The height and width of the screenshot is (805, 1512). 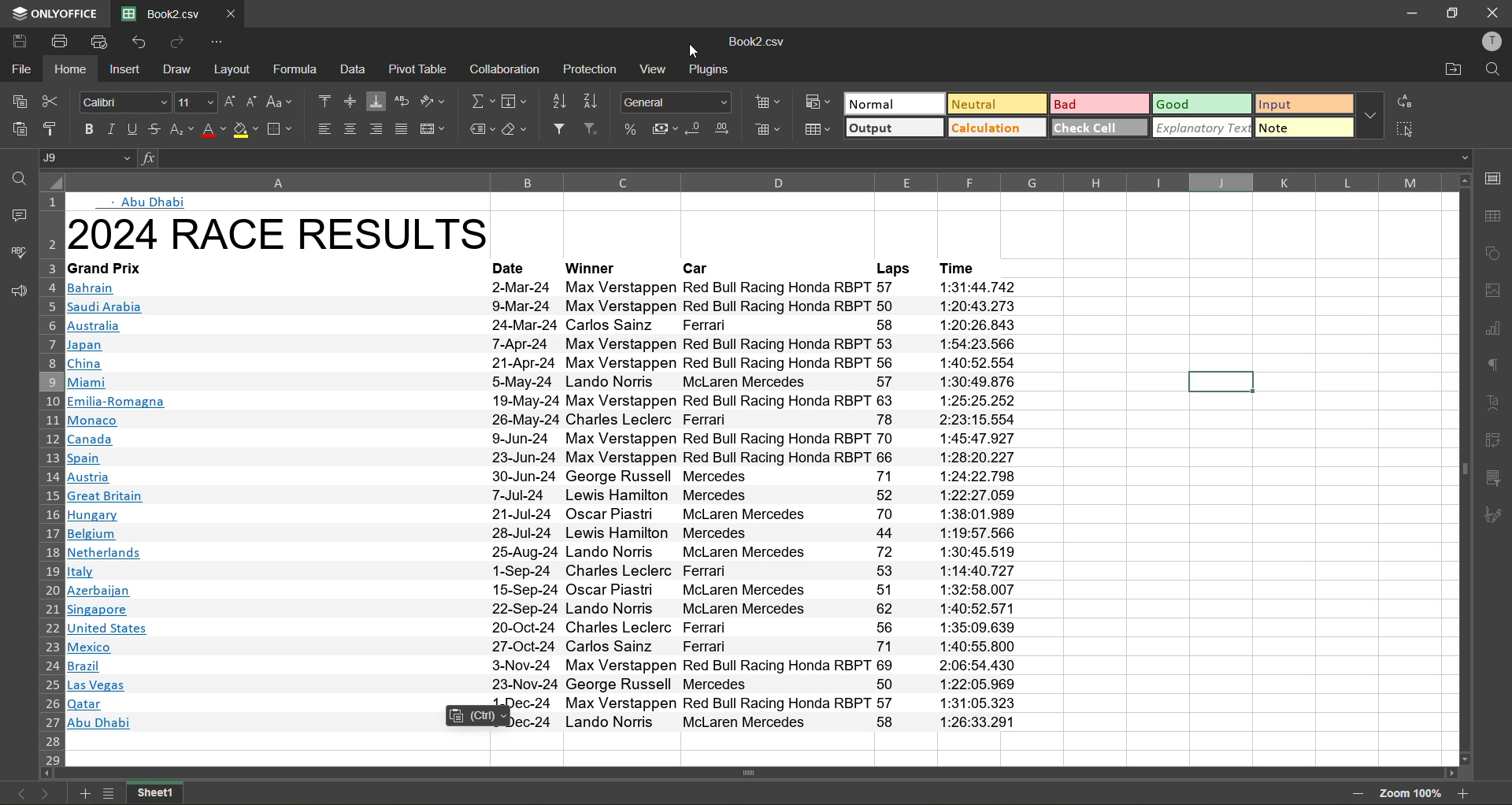 What do you see at coordinates (545, 345) in the screenshot?
I see `text info` at bounding box center [545, 345].